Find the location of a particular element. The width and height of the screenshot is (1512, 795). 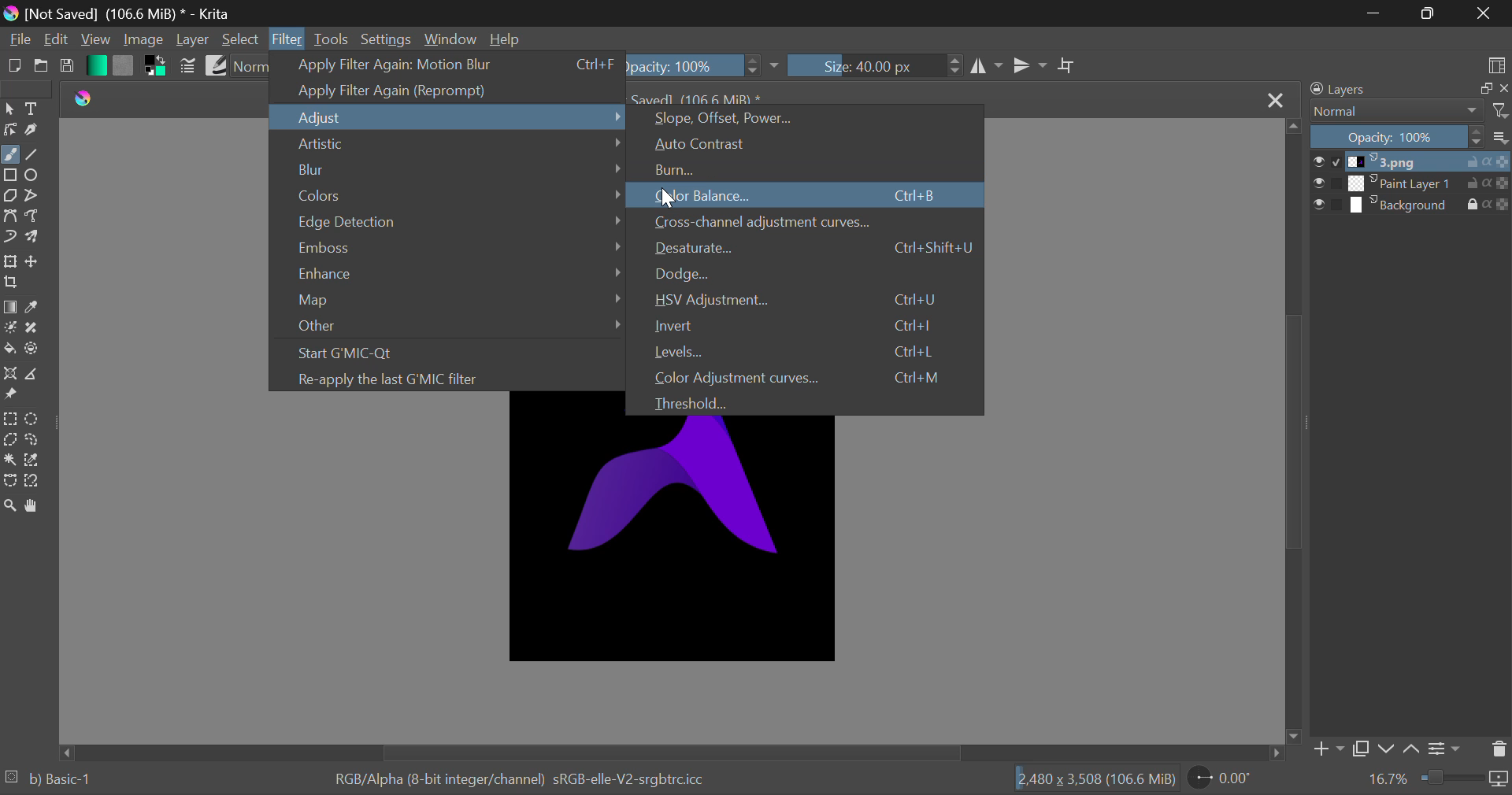

Continuous Selection is located at coordinates (9, 462).